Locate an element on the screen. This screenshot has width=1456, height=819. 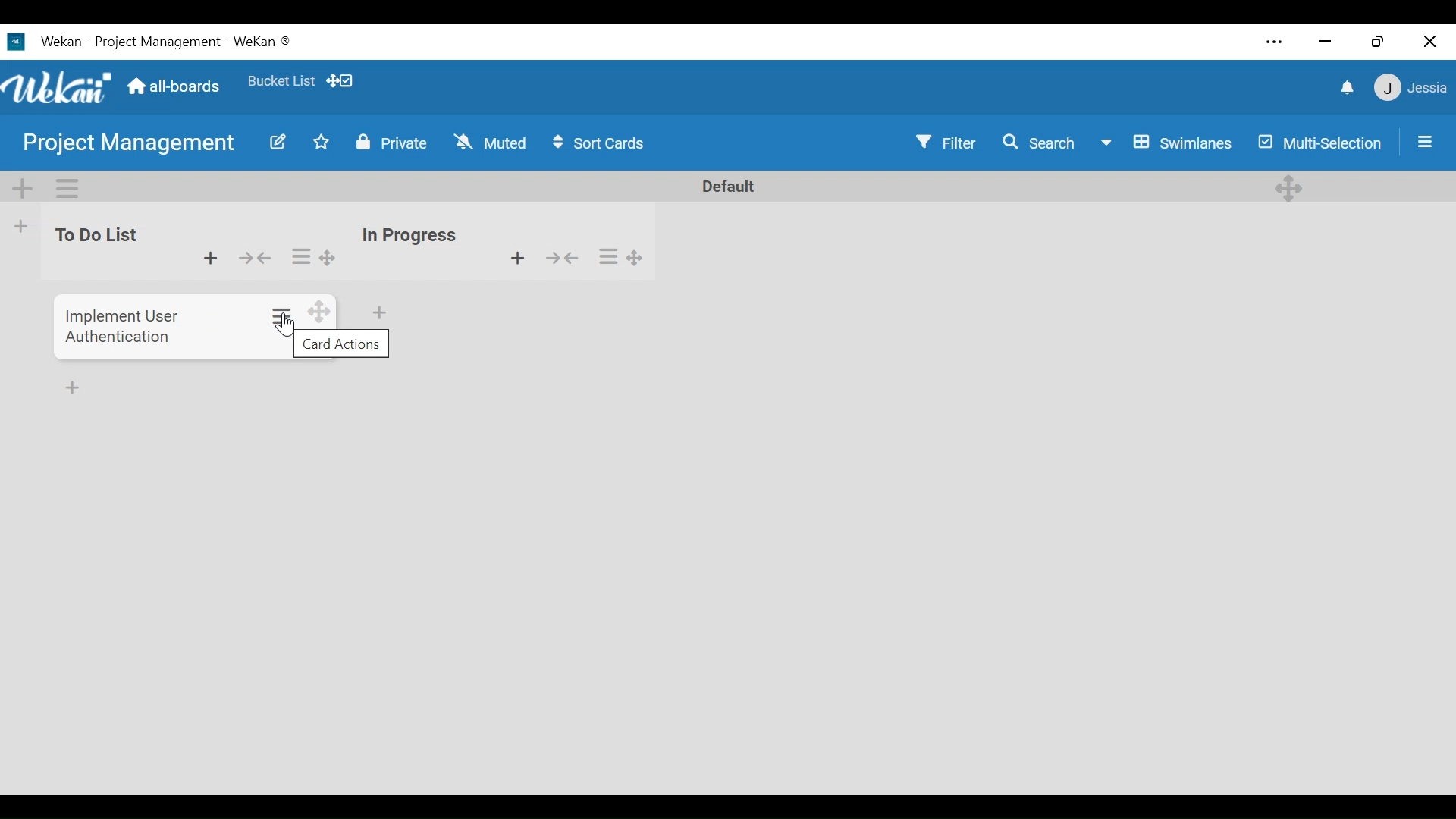
Private is located at coordinates (396, 143).